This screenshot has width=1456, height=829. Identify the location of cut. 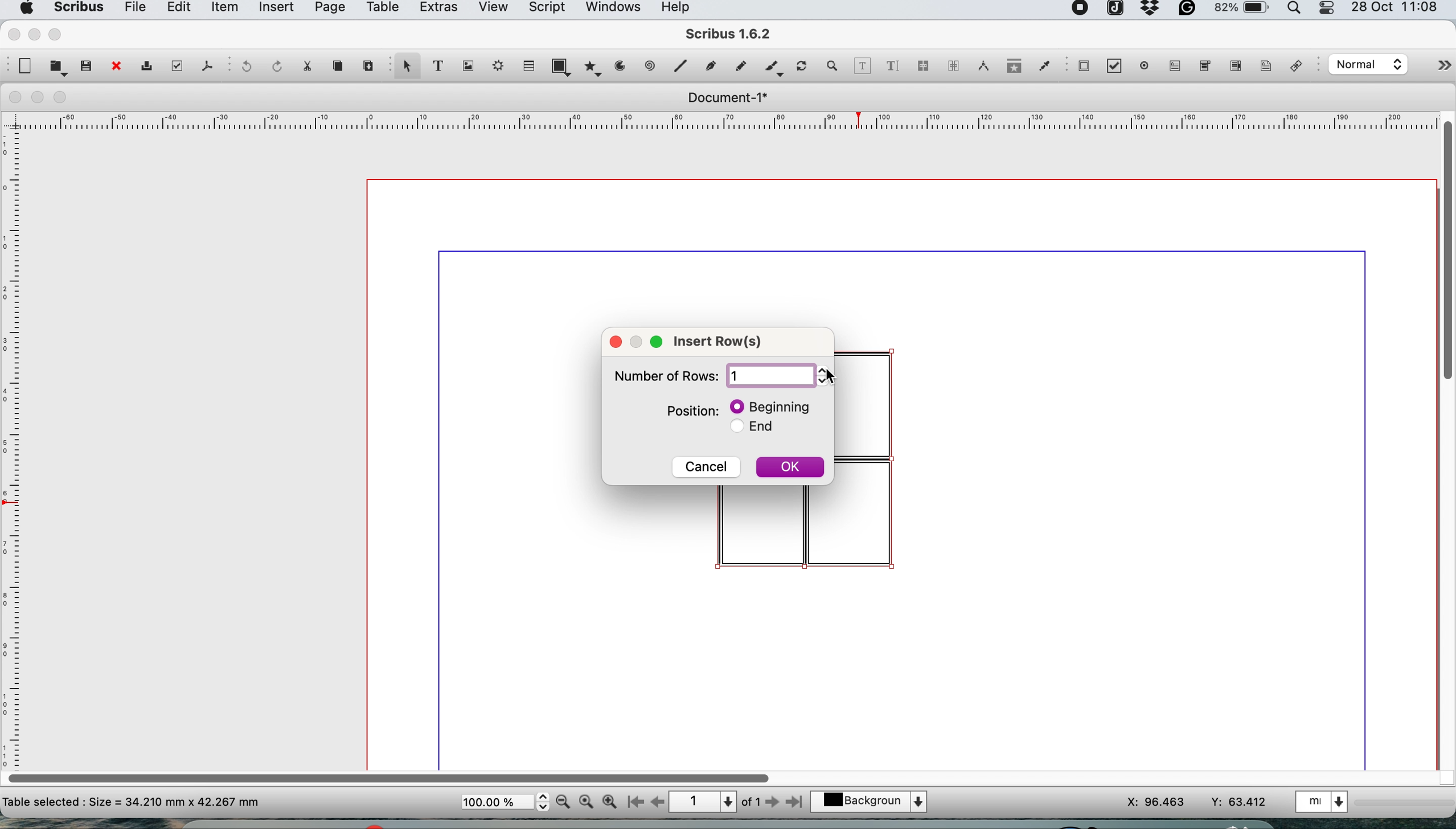
(306, 65).